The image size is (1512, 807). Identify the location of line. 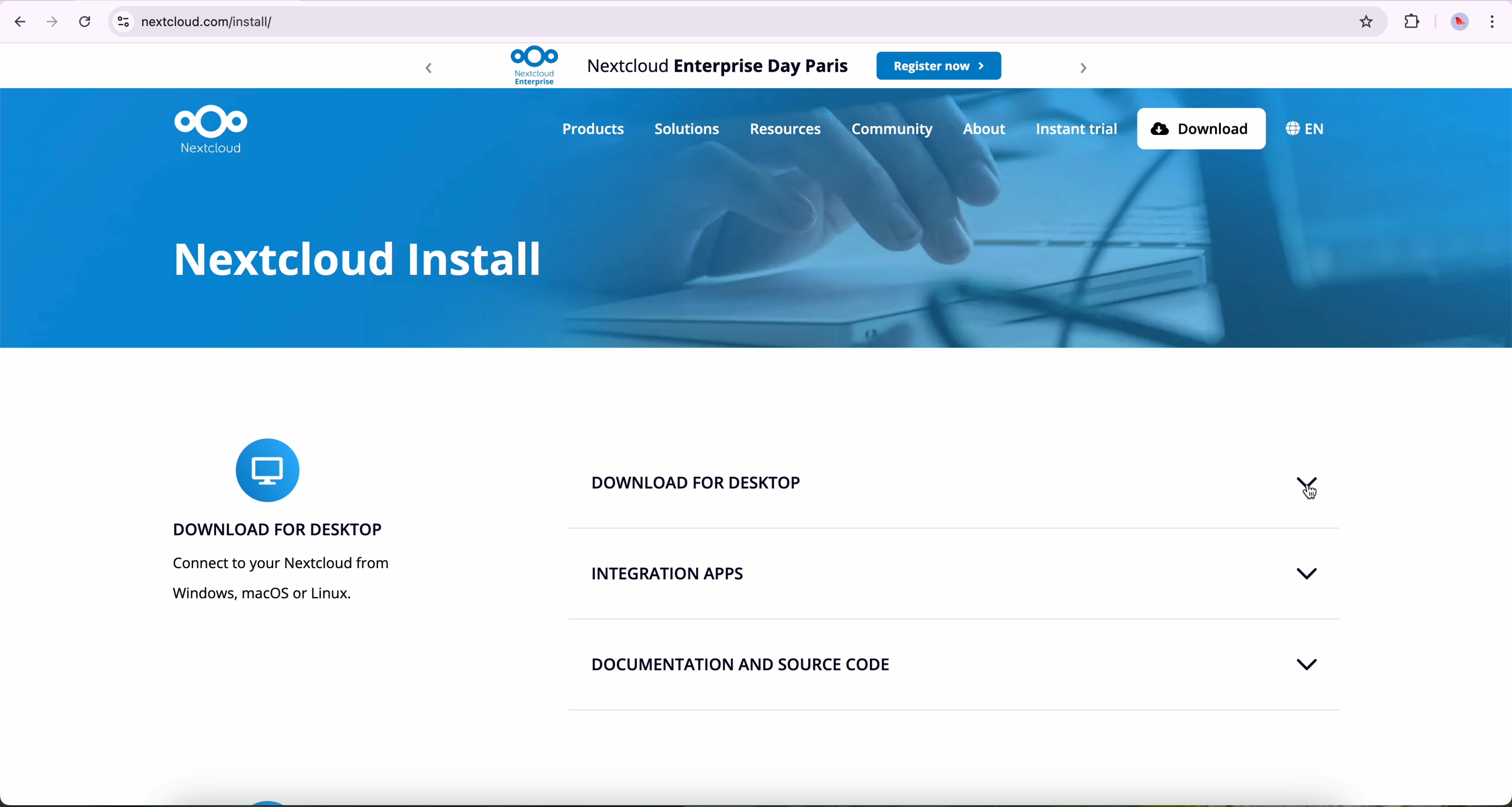
(961, 619).